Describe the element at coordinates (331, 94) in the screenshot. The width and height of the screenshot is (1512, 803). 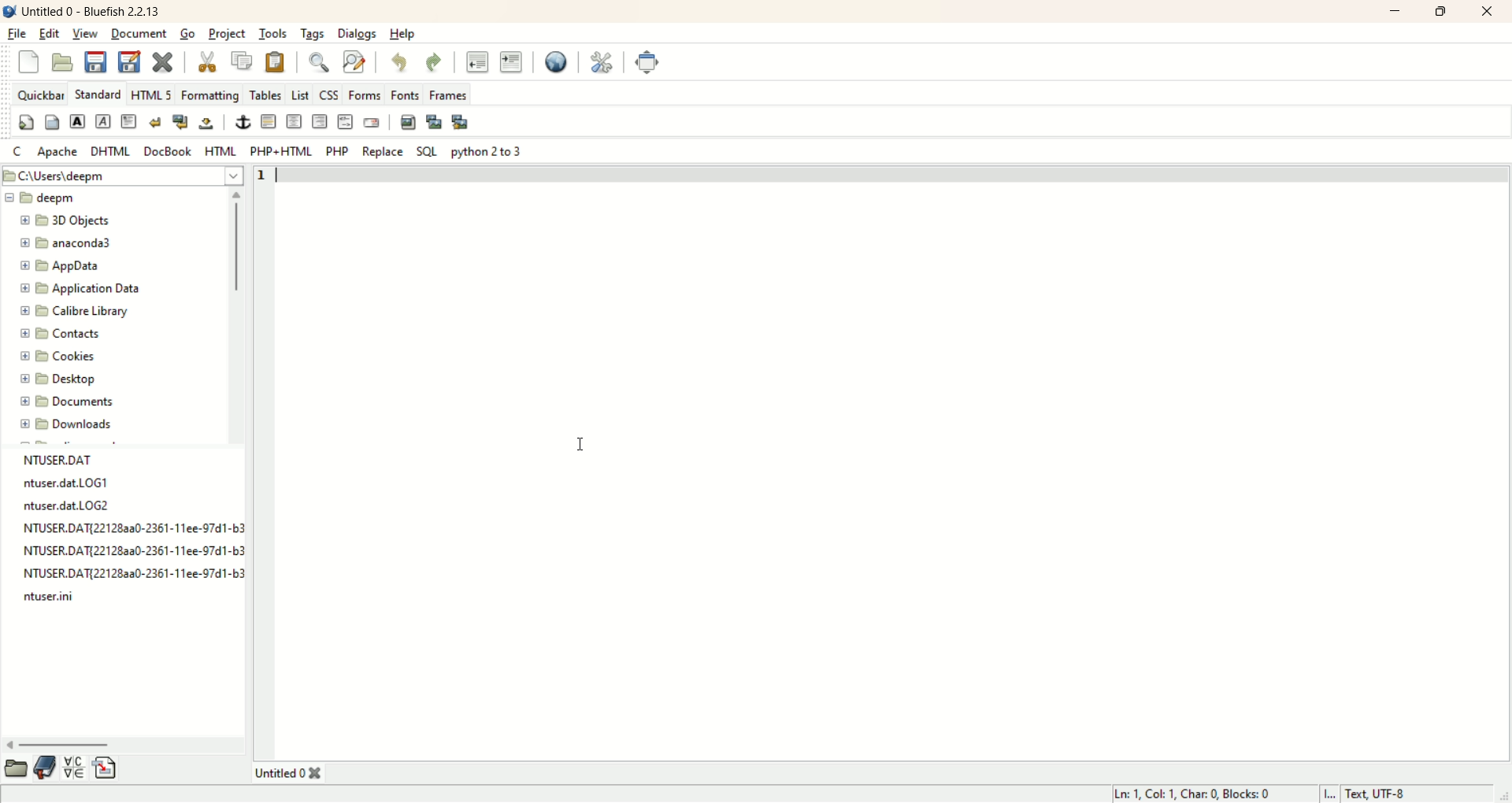
I see `CSS` at that location.